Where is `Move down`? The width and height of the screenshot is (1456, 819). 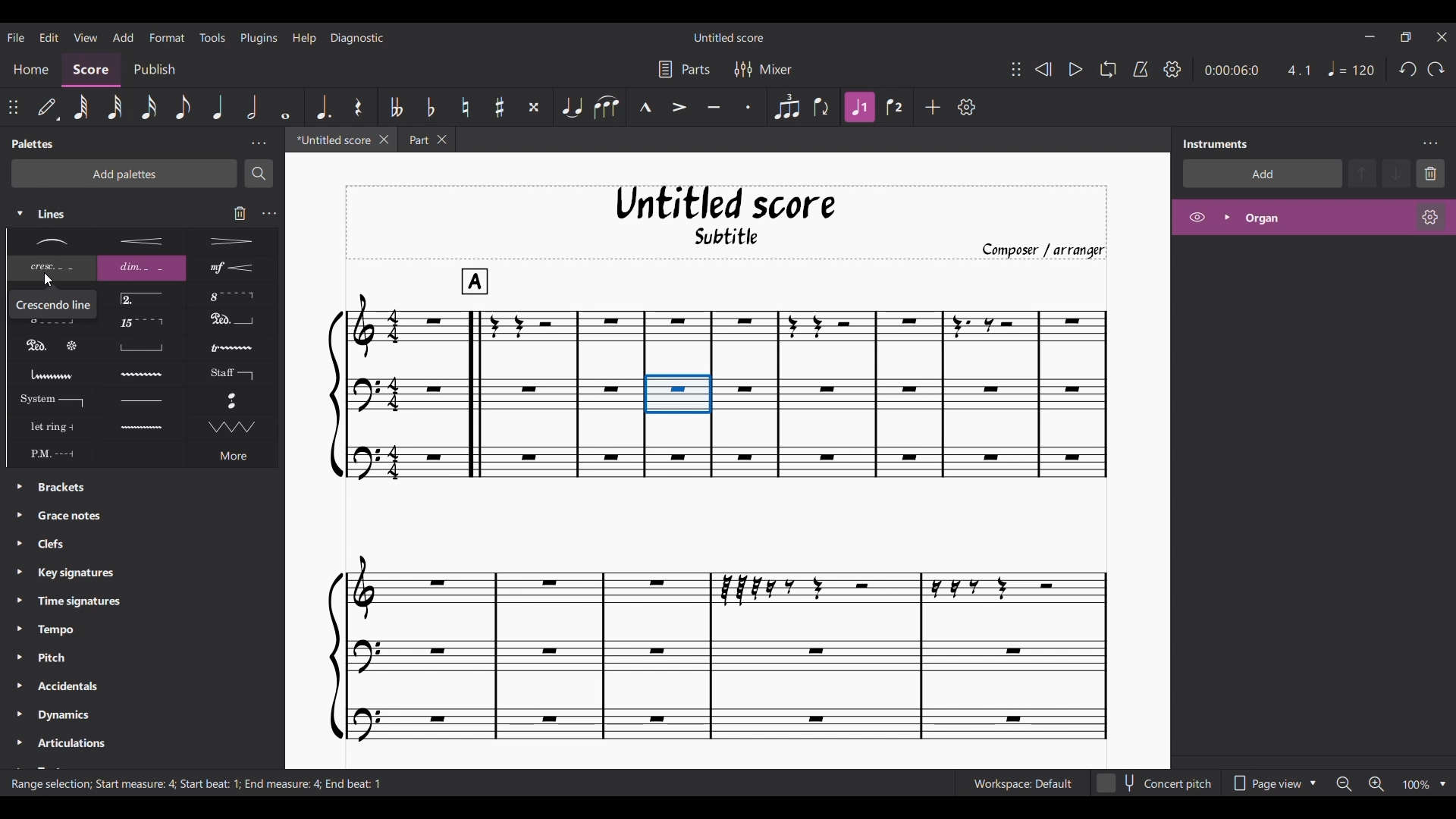
Move down is located at coordinates (1395, 174).